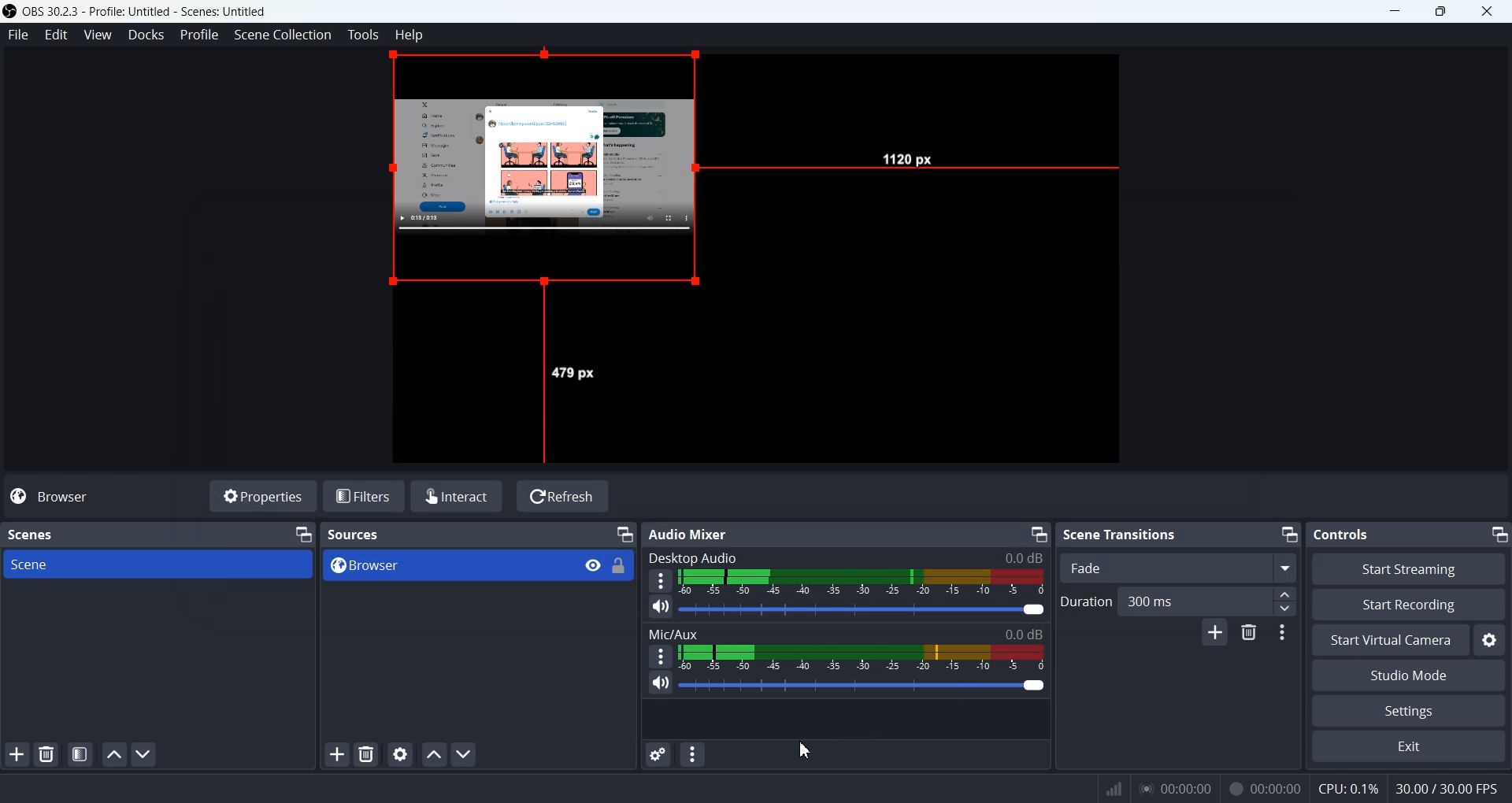 The width and height of the screenshot is (1512, 803). I want to click on Minimize, so click(1498, 531).